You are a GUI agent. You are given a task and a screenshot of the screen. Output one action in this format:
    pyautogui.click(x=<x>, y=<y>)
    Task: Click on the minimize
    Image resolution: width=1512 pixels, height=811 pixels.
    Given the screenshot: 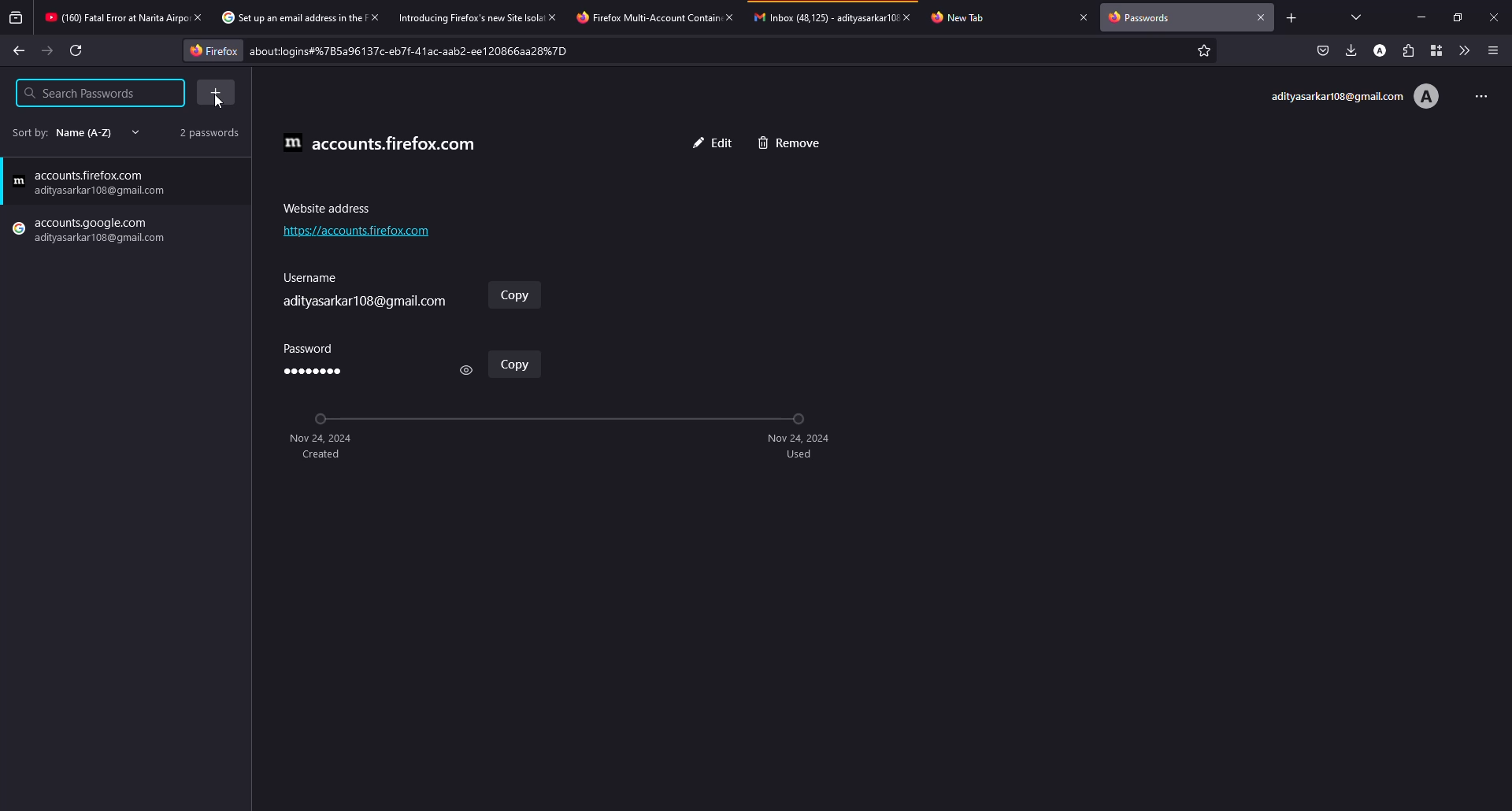 What is the action you would take?
    pyautogui.click(x=1424, y=17)
    